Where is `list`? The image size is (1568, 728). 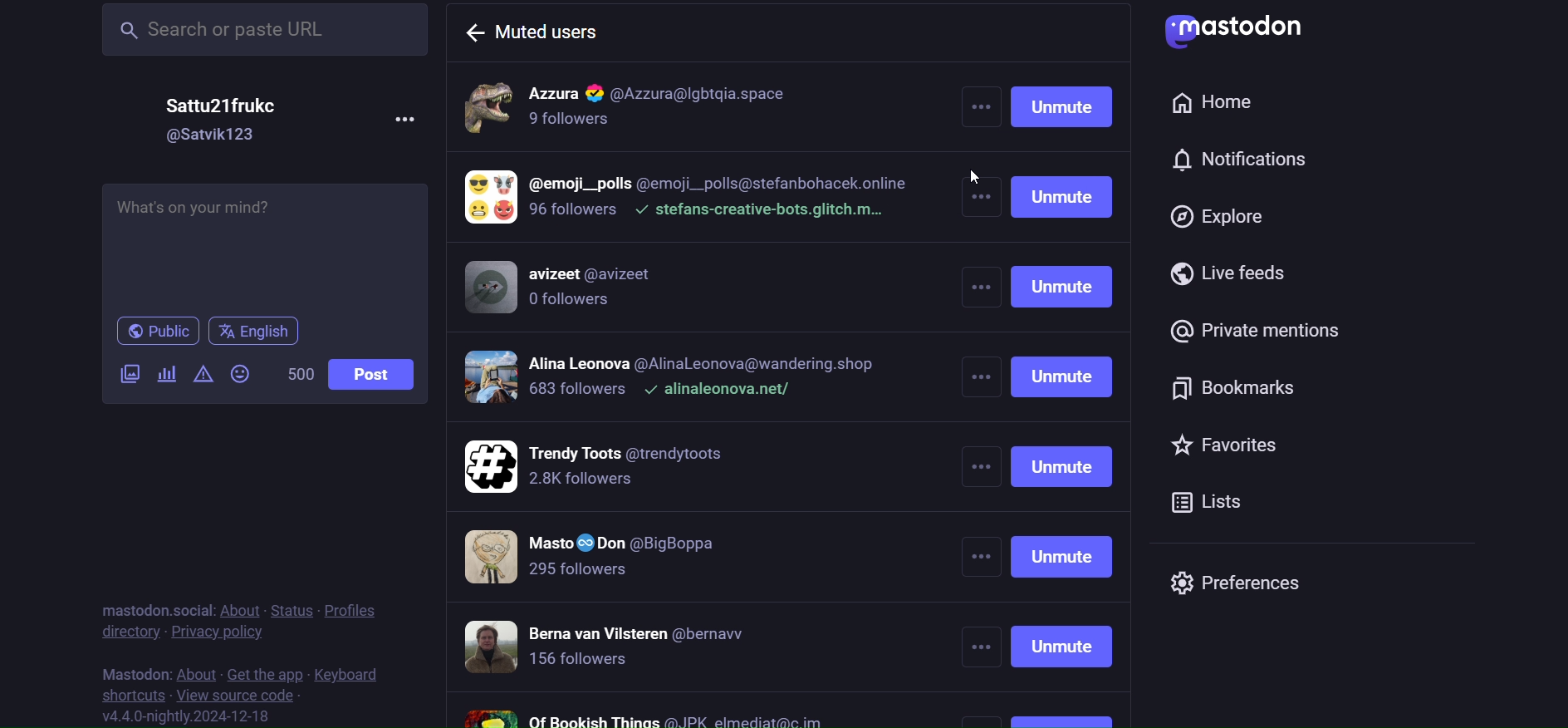 list is located at coordinates (1224, 501).